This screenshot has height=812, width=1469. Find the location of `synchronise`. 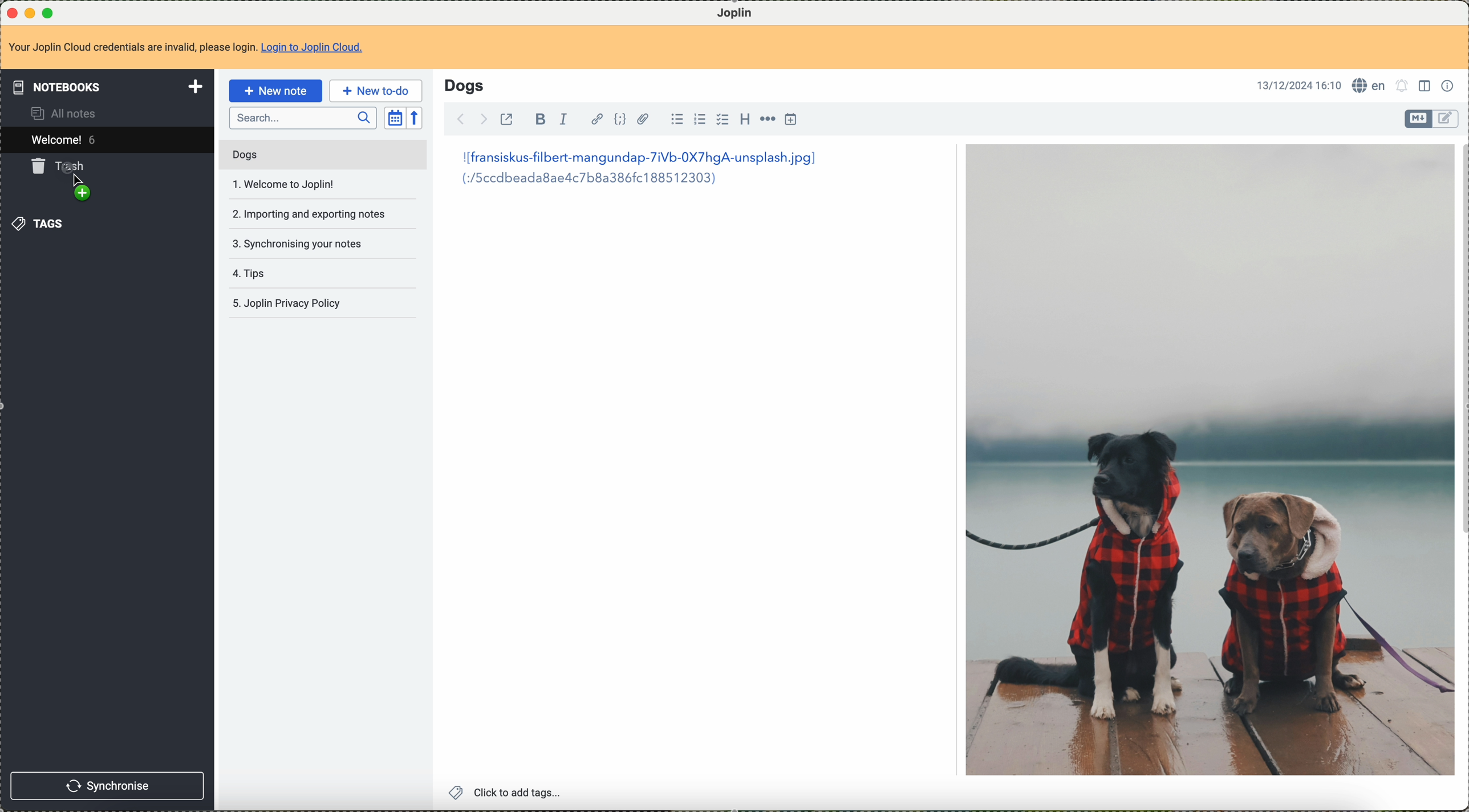

synchronise is located at coordinates (107, 787).